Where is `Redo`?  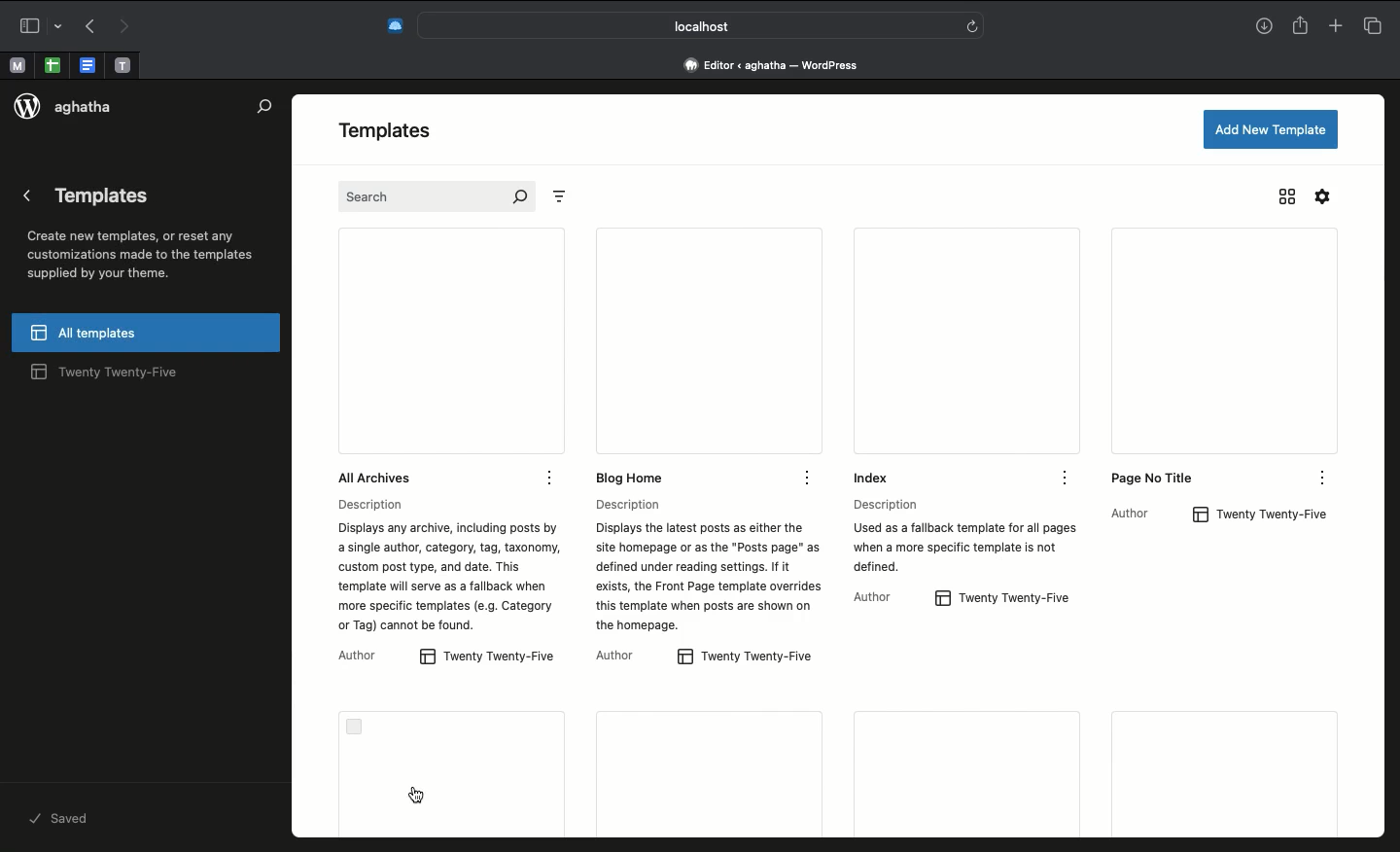
Redo is located at coordinates (122, 27).